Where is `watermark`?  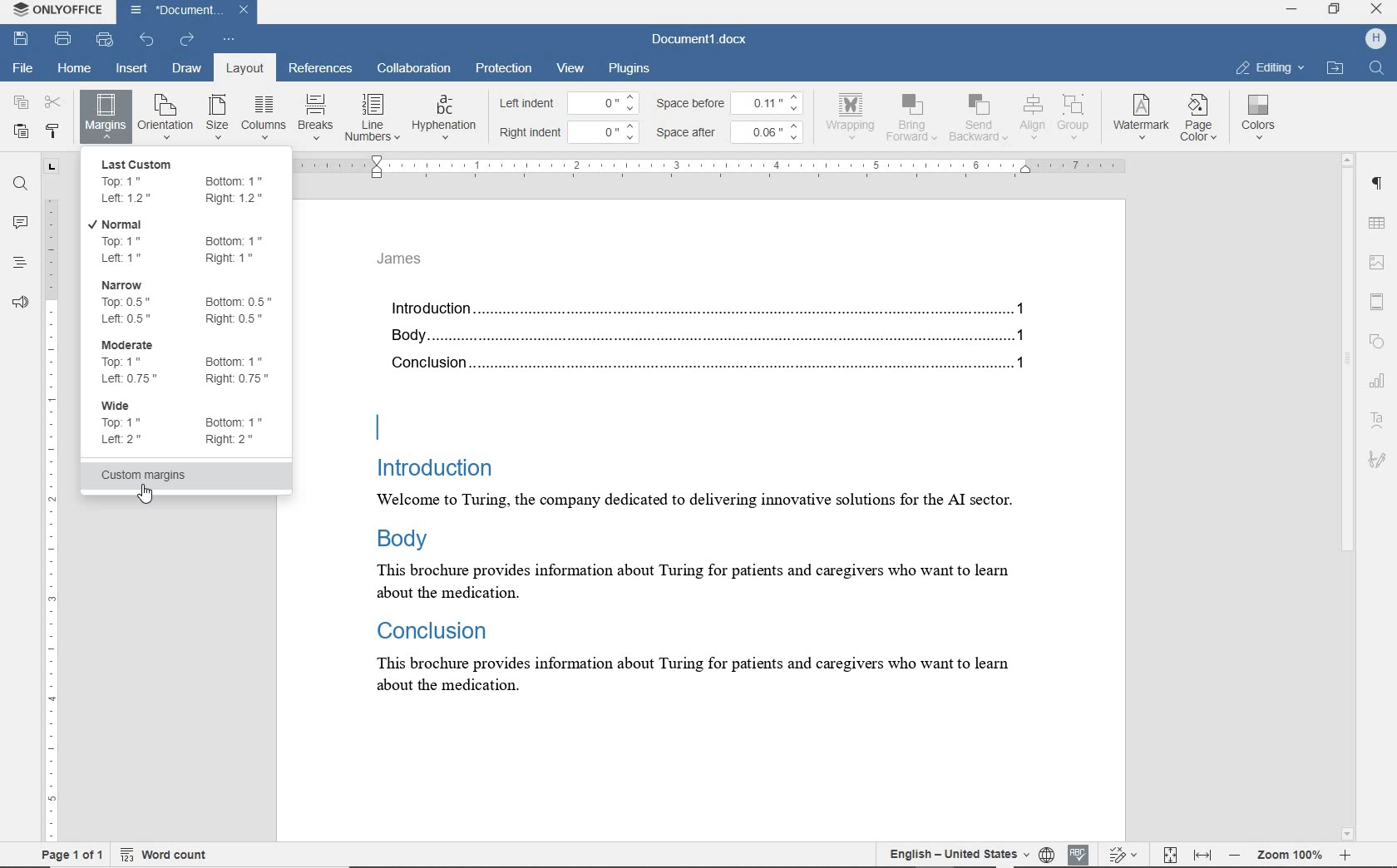 watermark is located at coordinates (1143, 118).